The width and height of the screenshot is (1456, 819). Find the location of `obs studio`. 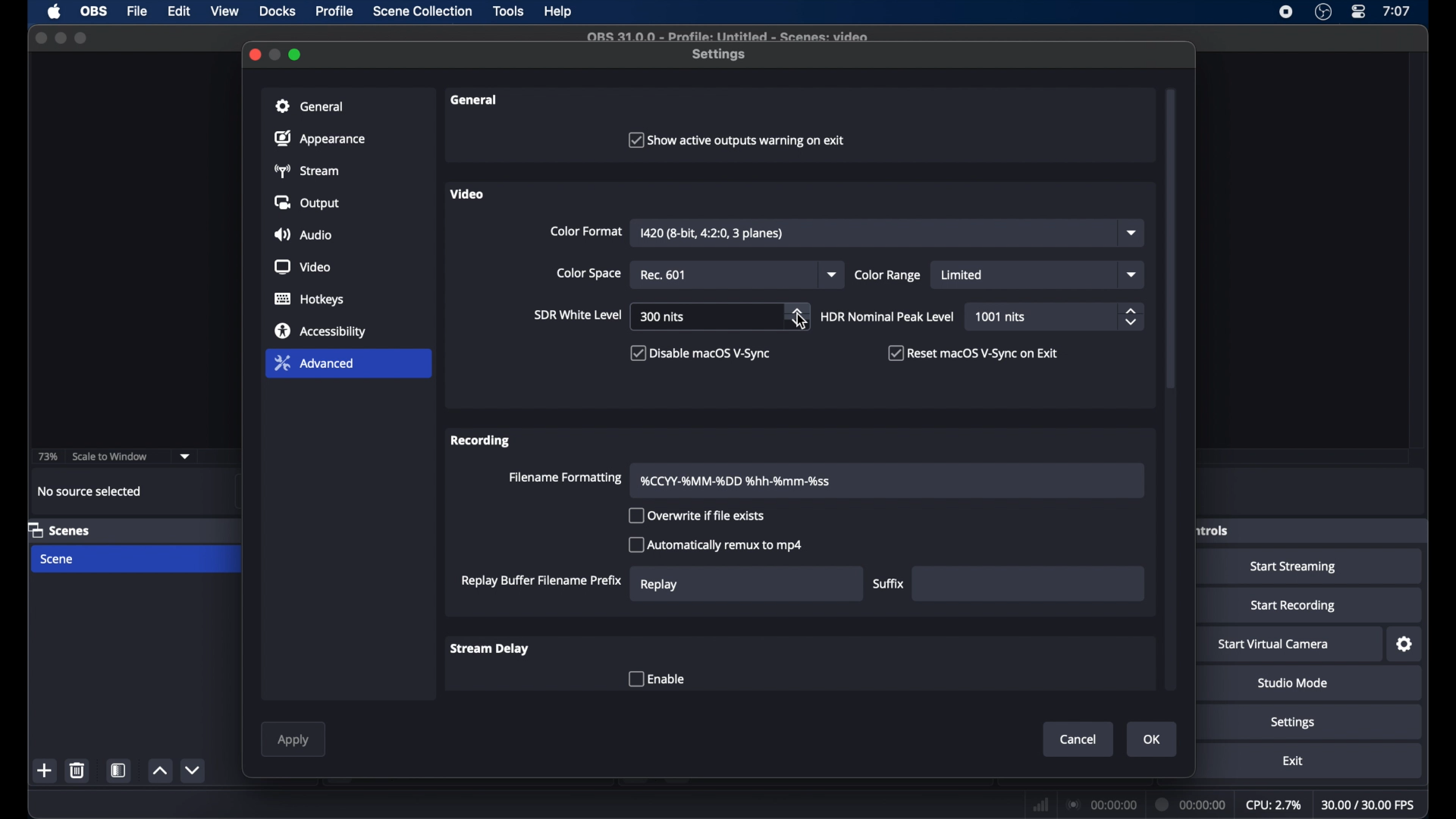

obs studio is located at coordinates (1323, 12).